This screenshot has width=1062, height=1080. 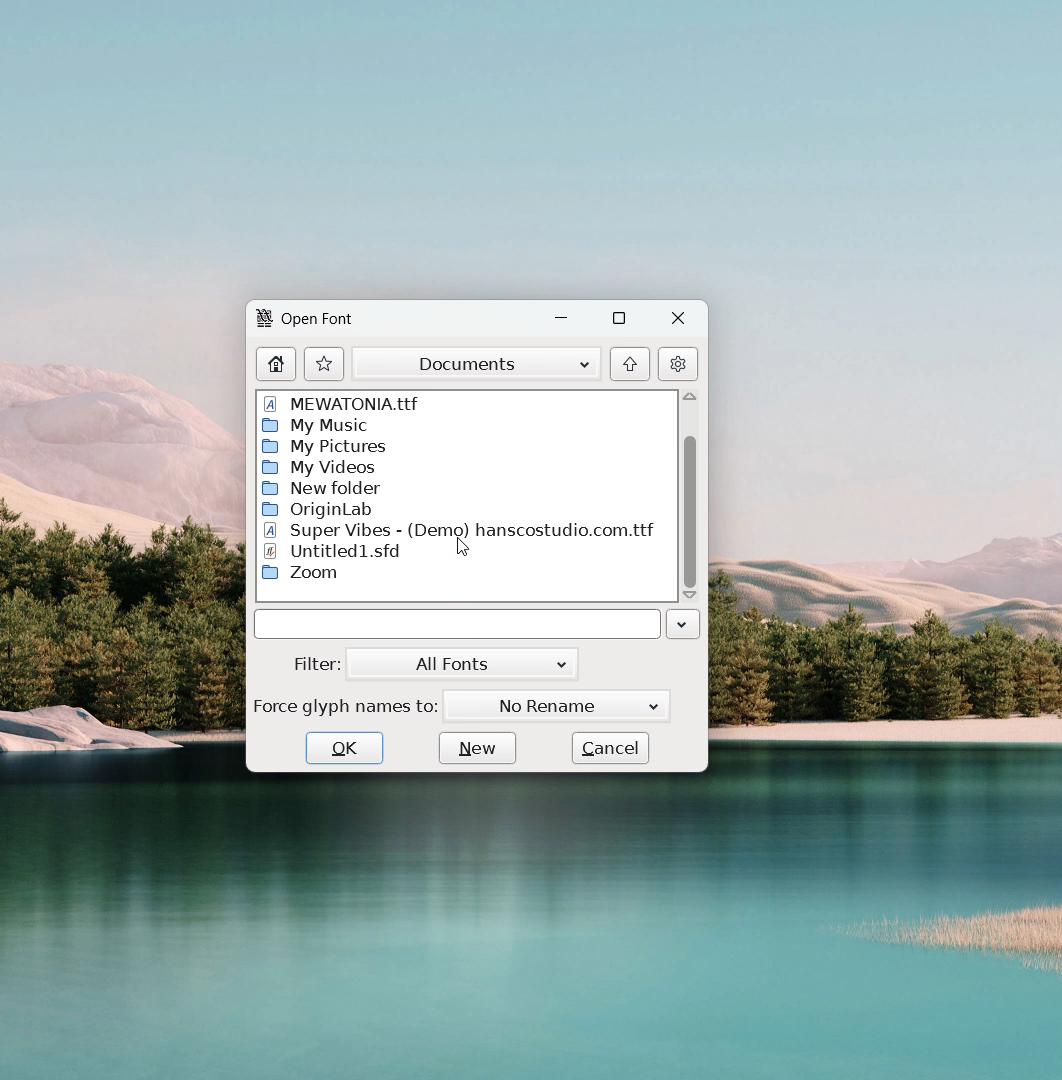 What do you see at coordinates (304, 579) in the screenshot?
I see `Zoom` at bounding box center [304, 579].